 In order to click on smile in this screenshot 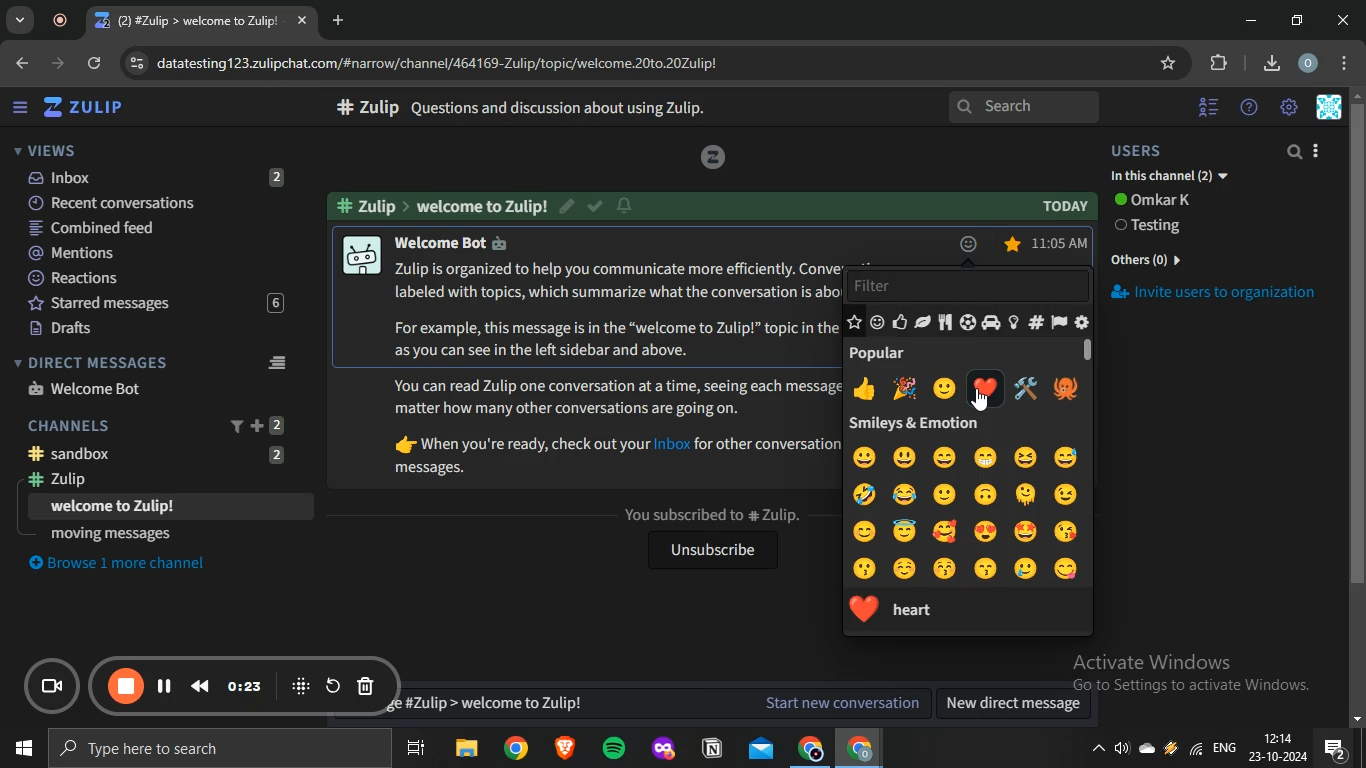, I will do `click(945, 388)`.